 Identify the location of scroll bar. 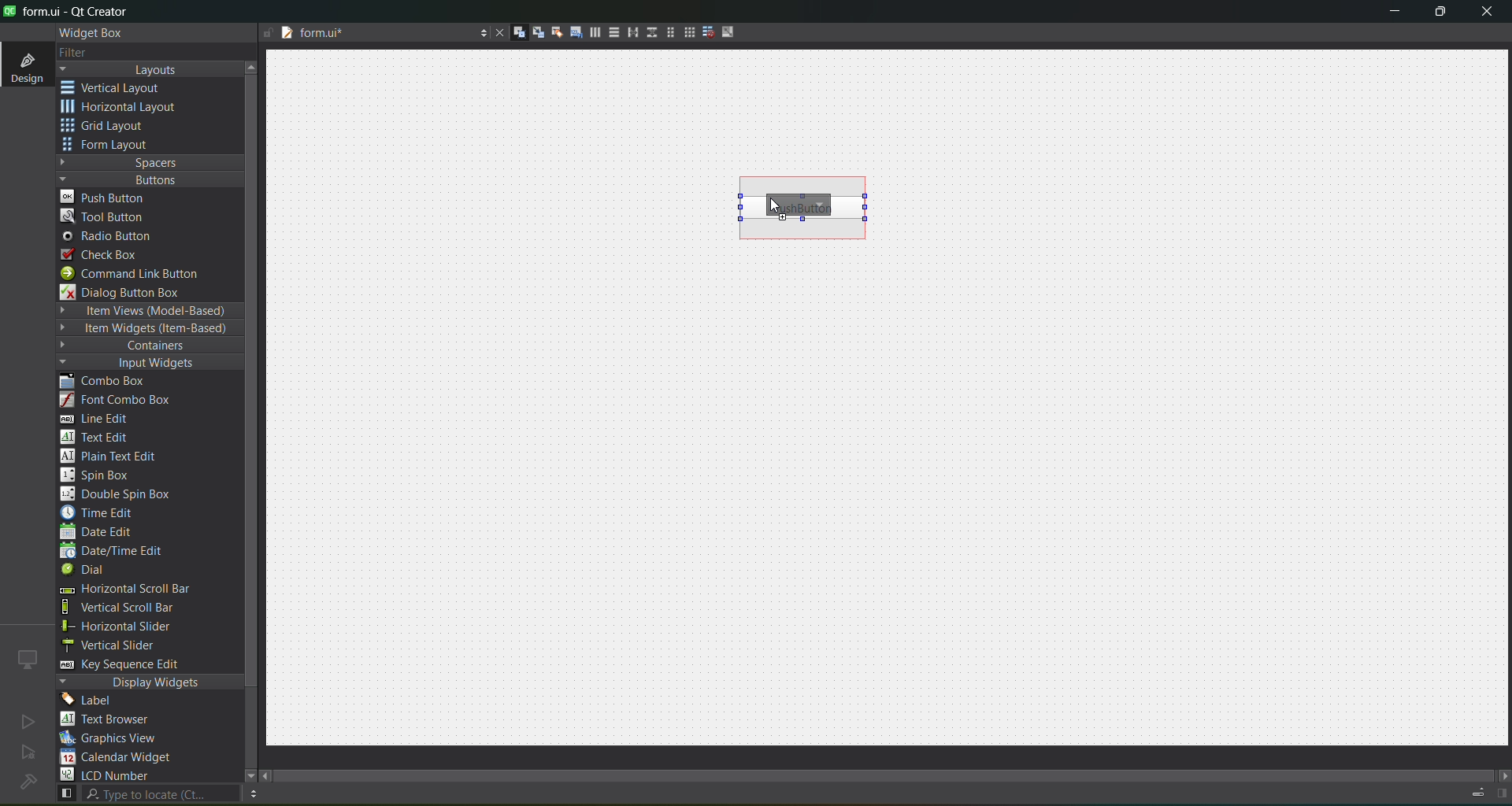
(896, 771).